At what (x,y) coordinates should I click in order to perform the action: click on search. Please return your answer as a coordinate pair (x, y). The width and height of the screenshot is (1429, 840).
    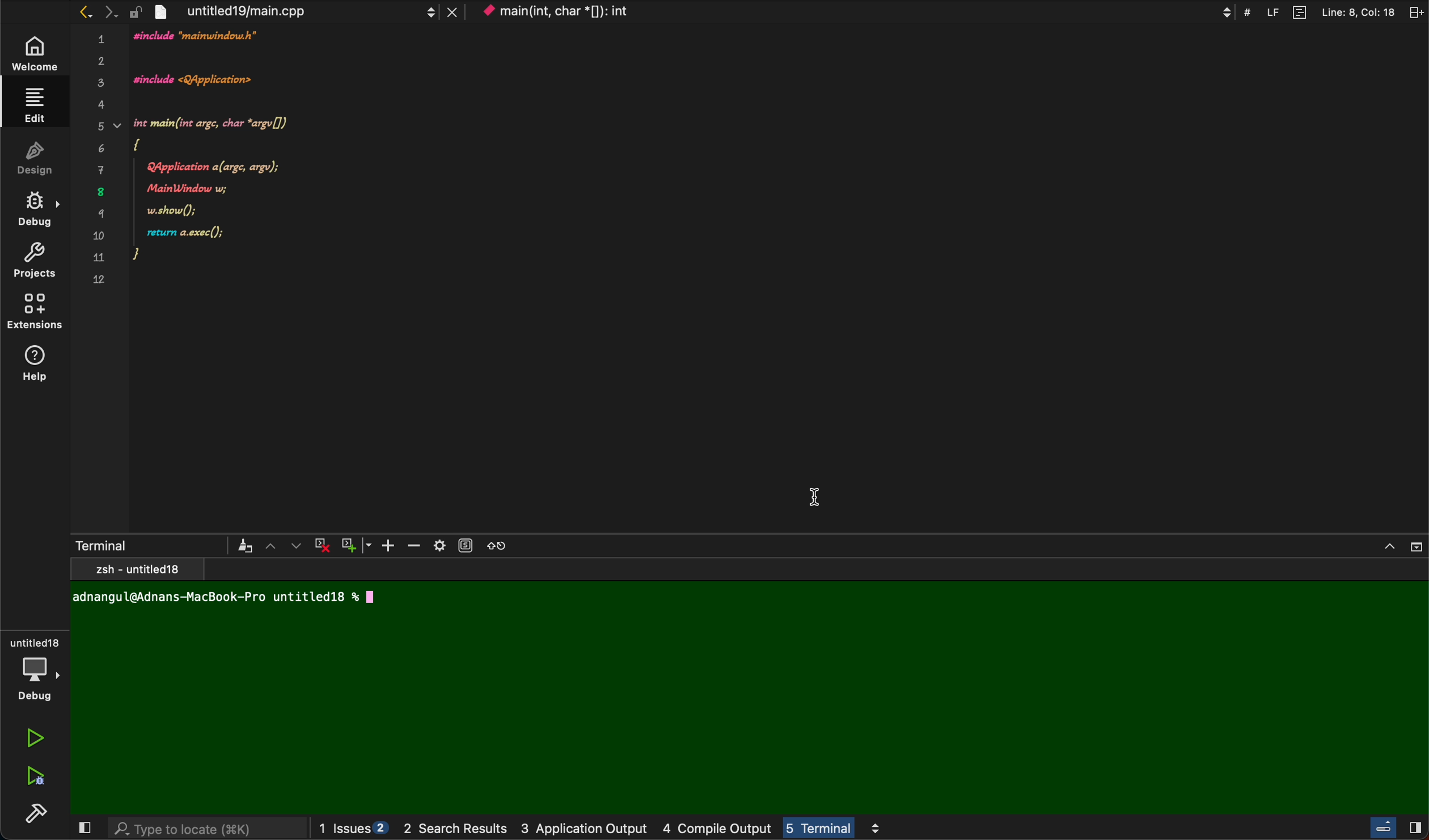
    Looking at the image, I should click on (206, 830).